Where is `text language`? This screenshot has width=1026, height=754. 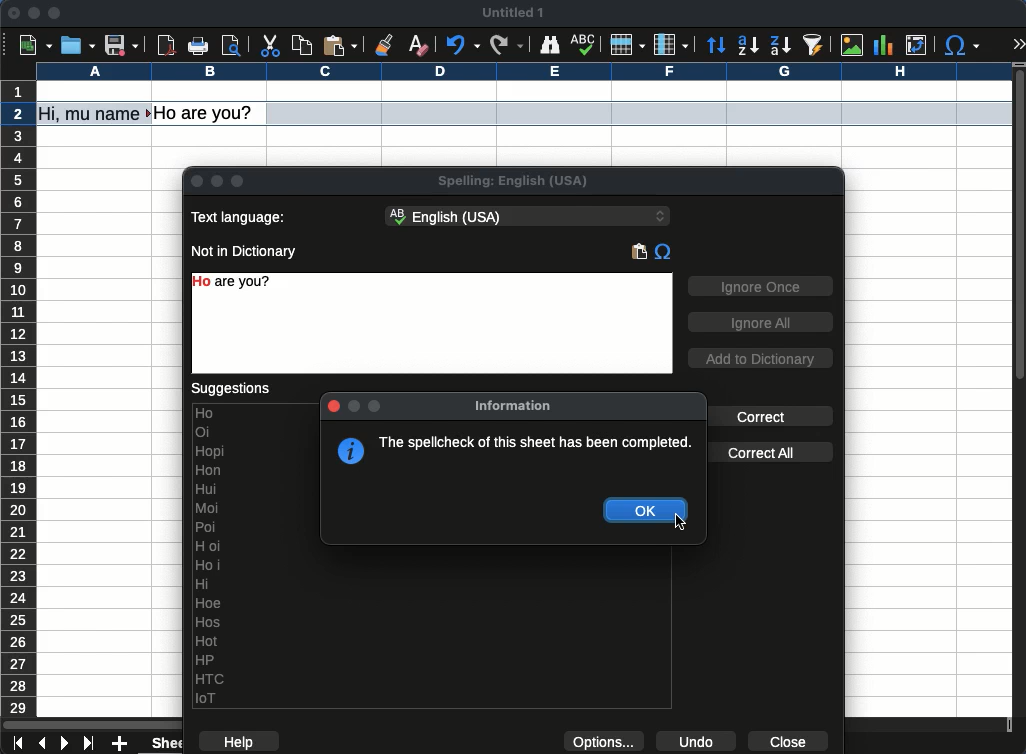
text language is located at coordinates (241, 216).